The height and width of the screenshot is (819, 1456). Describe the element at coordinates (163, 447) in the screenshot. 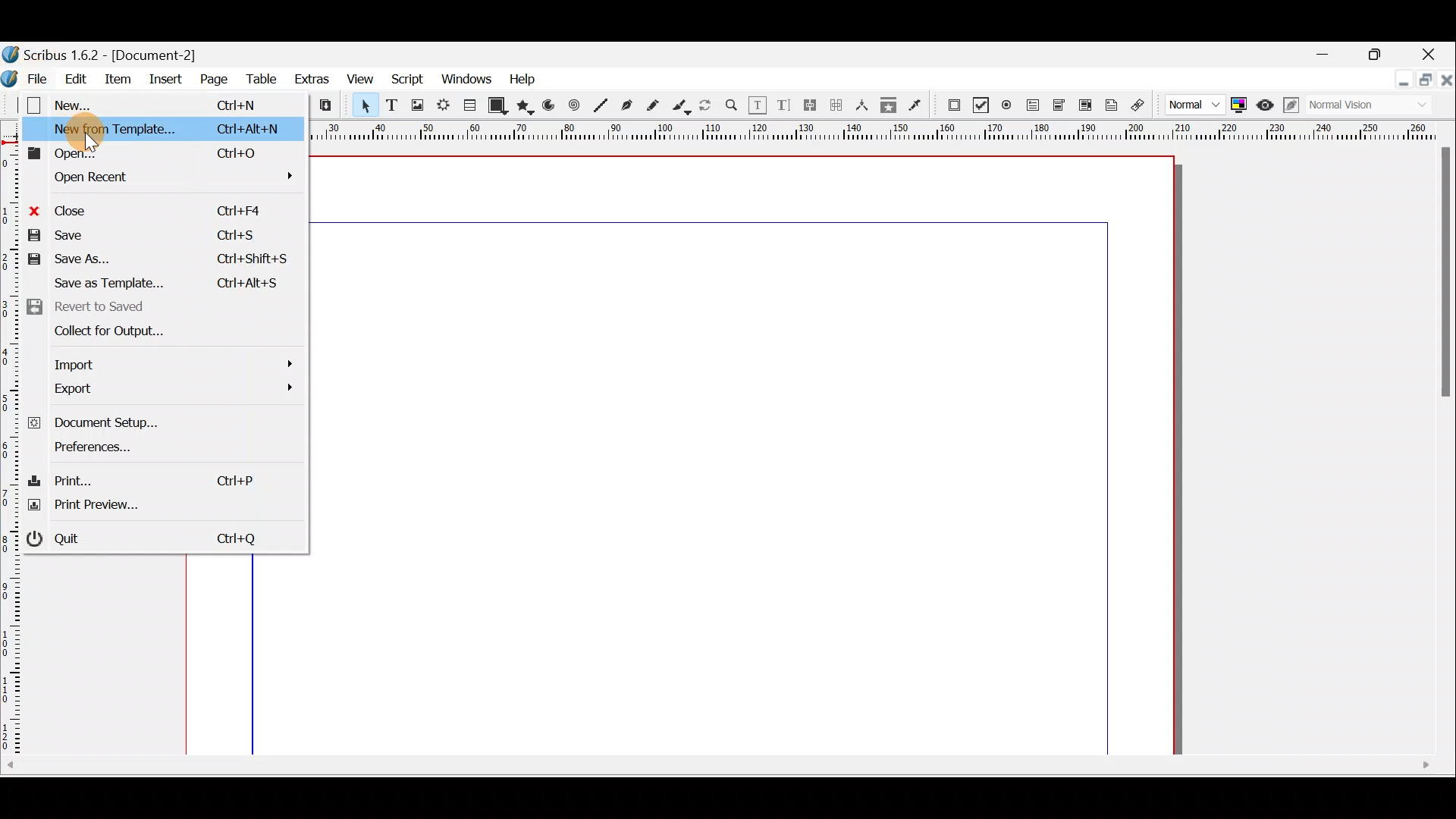

I see `Preferences` at that location.